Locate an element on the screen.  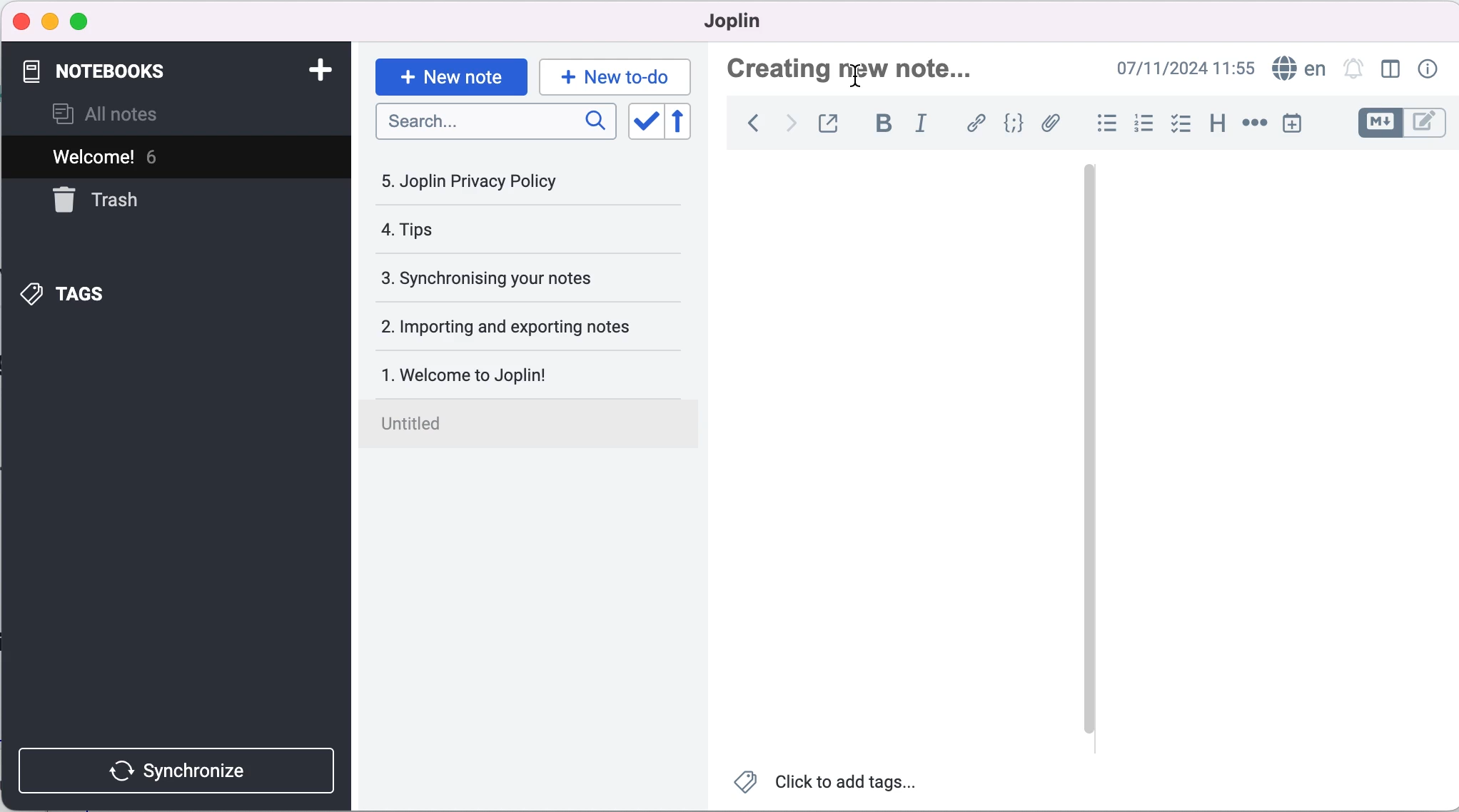
back is located at coordinates (746, 128).